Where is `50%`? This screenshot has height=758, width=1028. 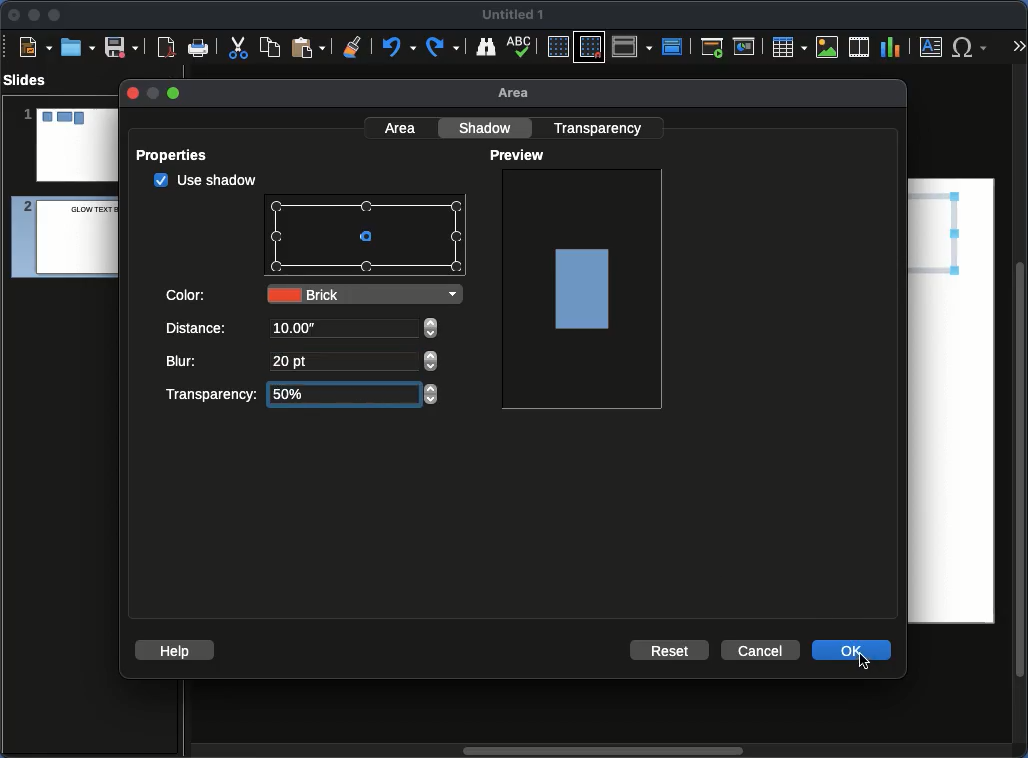 50% is located at coordinates (294, 394).